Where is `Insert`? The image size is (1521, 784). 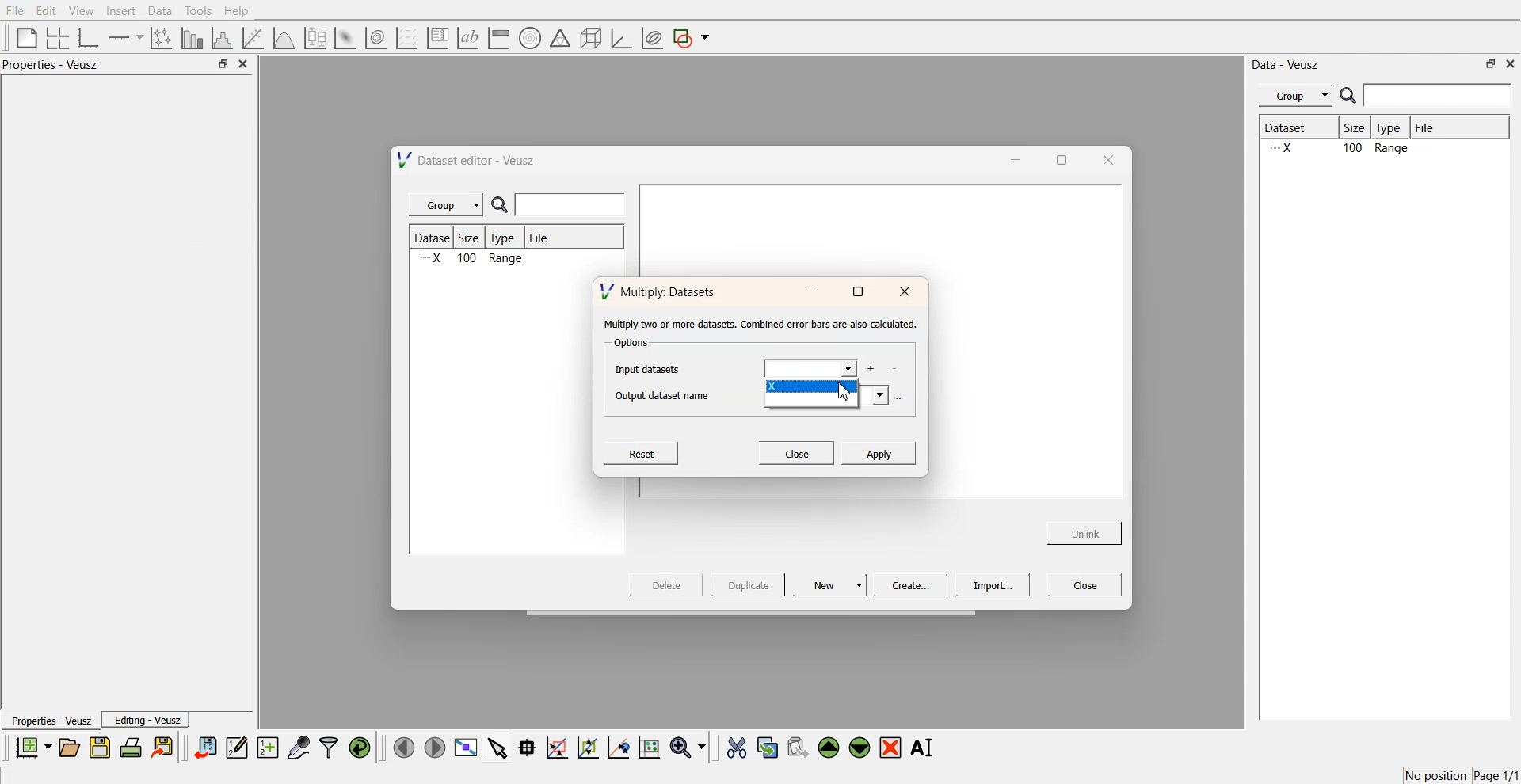
Insert is located at coordinates (119, 11).